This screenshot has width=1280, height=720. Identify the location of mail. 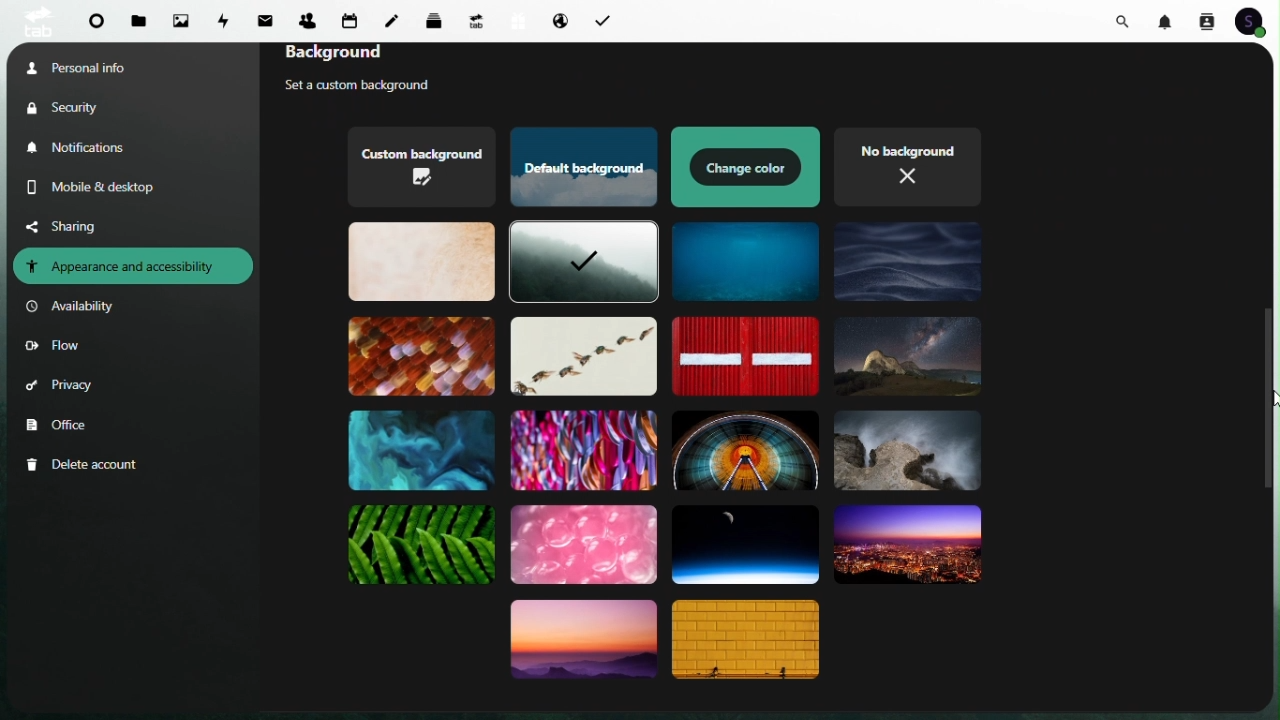
(269, 18).